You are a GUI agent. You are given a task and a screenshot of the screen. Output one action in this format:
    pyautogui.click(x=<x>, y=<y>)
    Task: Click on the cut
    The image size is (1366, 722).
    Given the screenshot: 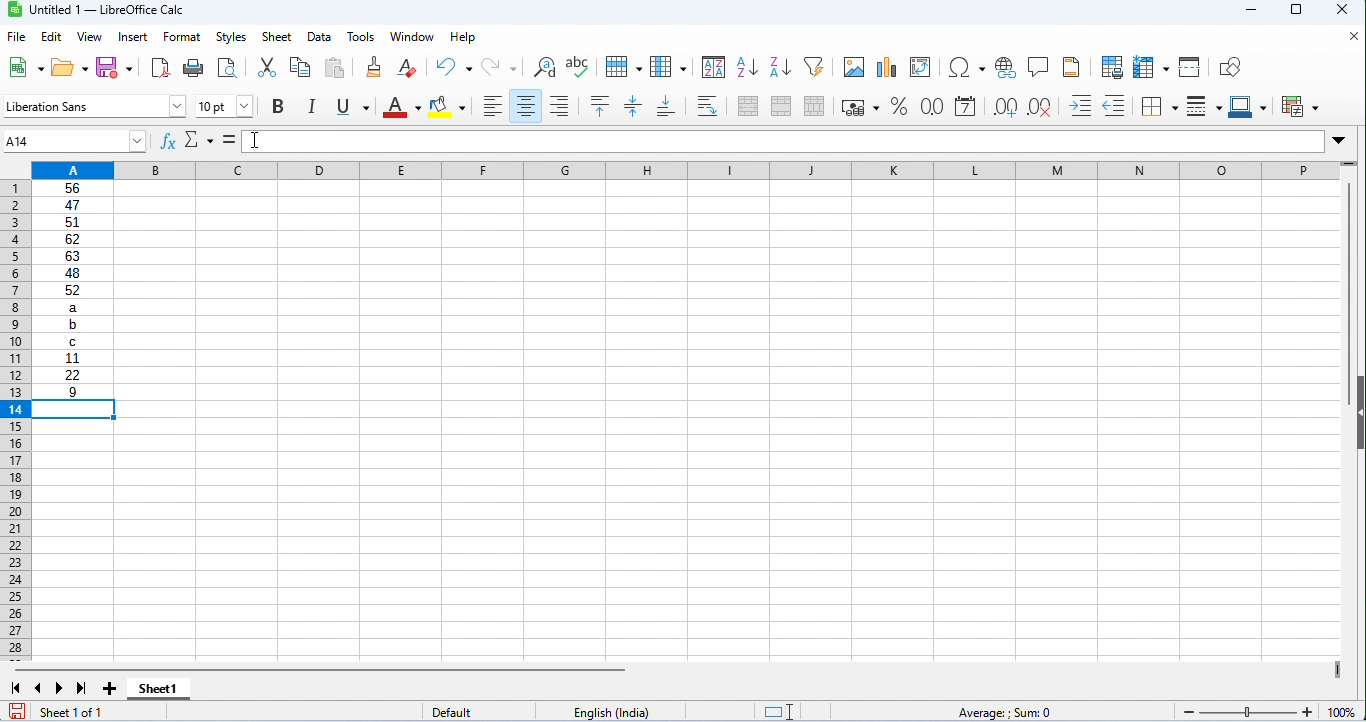 What is the action you would take?
    pyautogui.click(x=266, y=68)
    